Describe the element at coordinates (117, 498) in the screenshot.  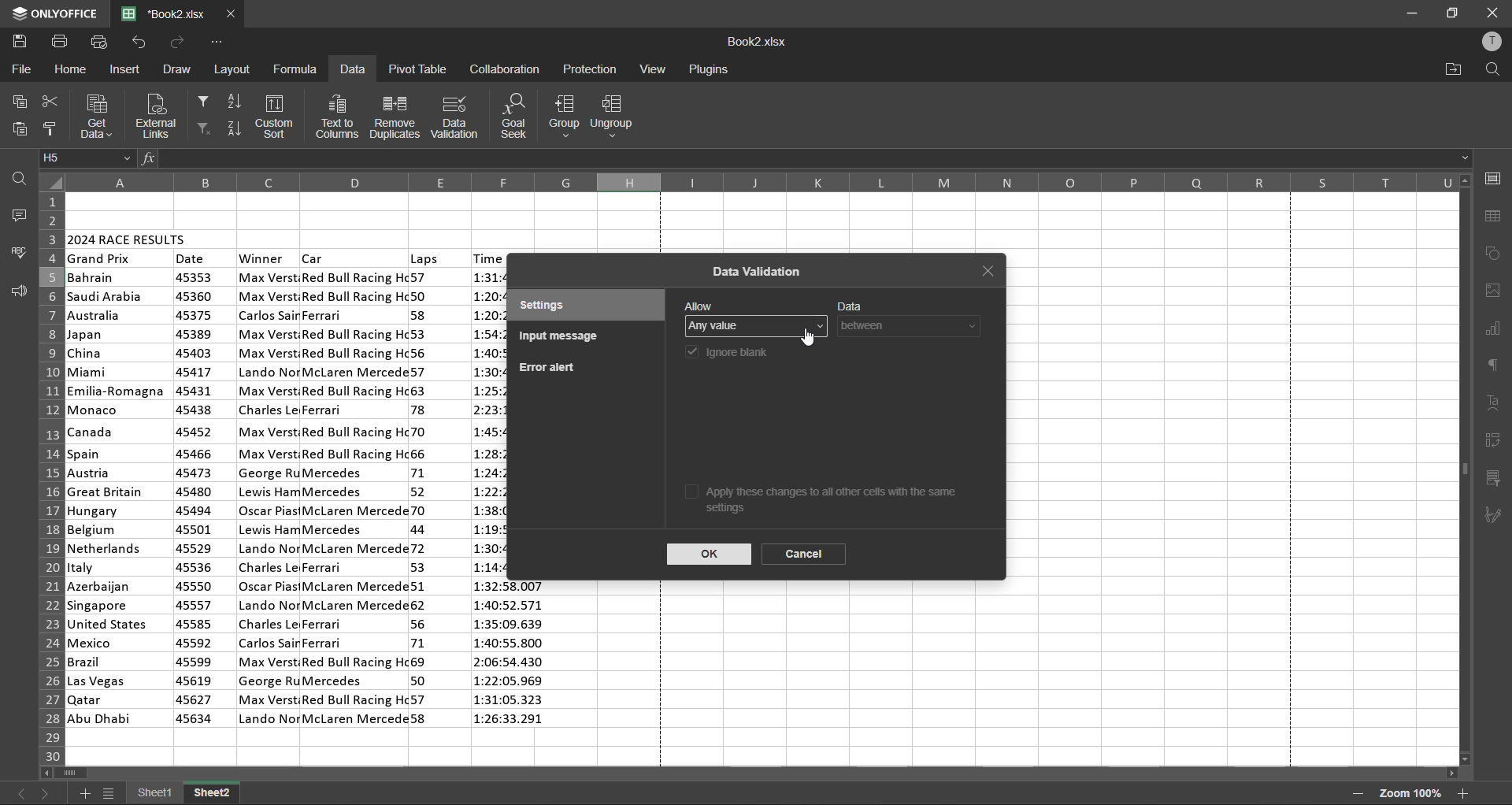
I see `country names` at that location.